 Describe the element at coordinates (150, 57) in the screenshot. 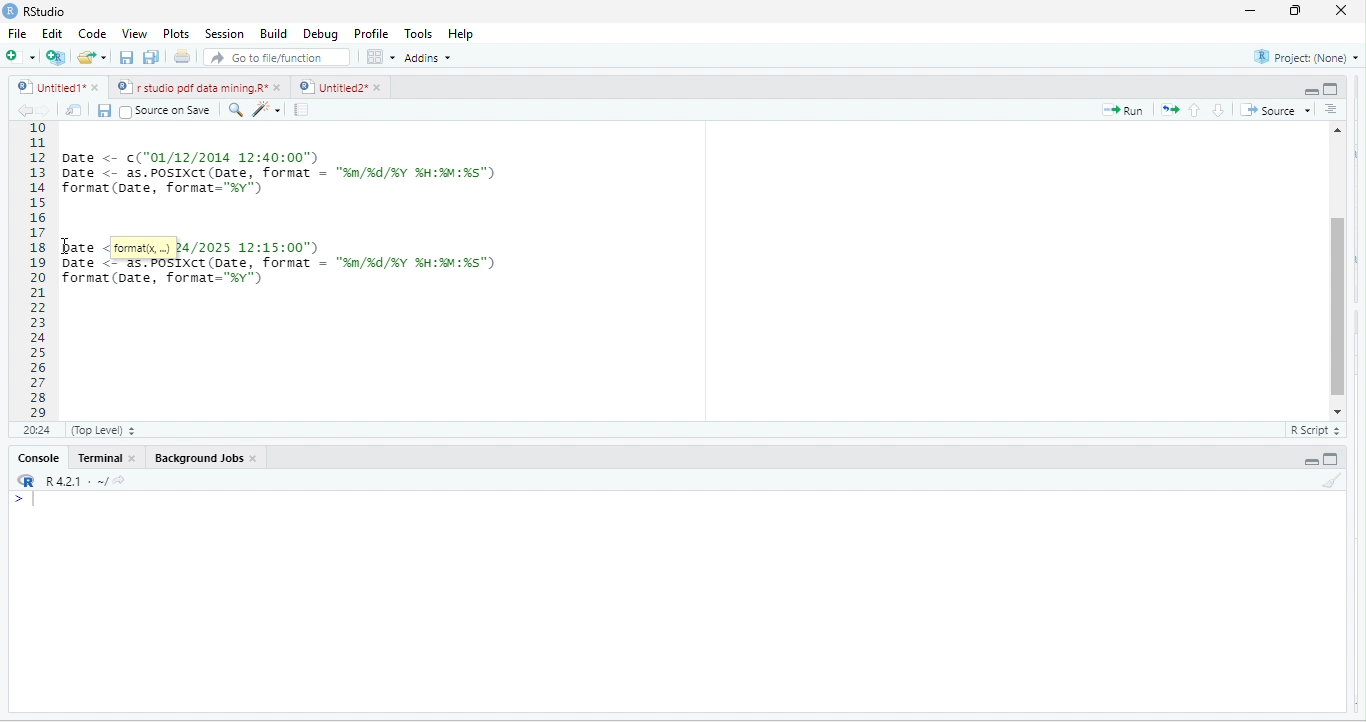

I see `save all open documents` at that location.